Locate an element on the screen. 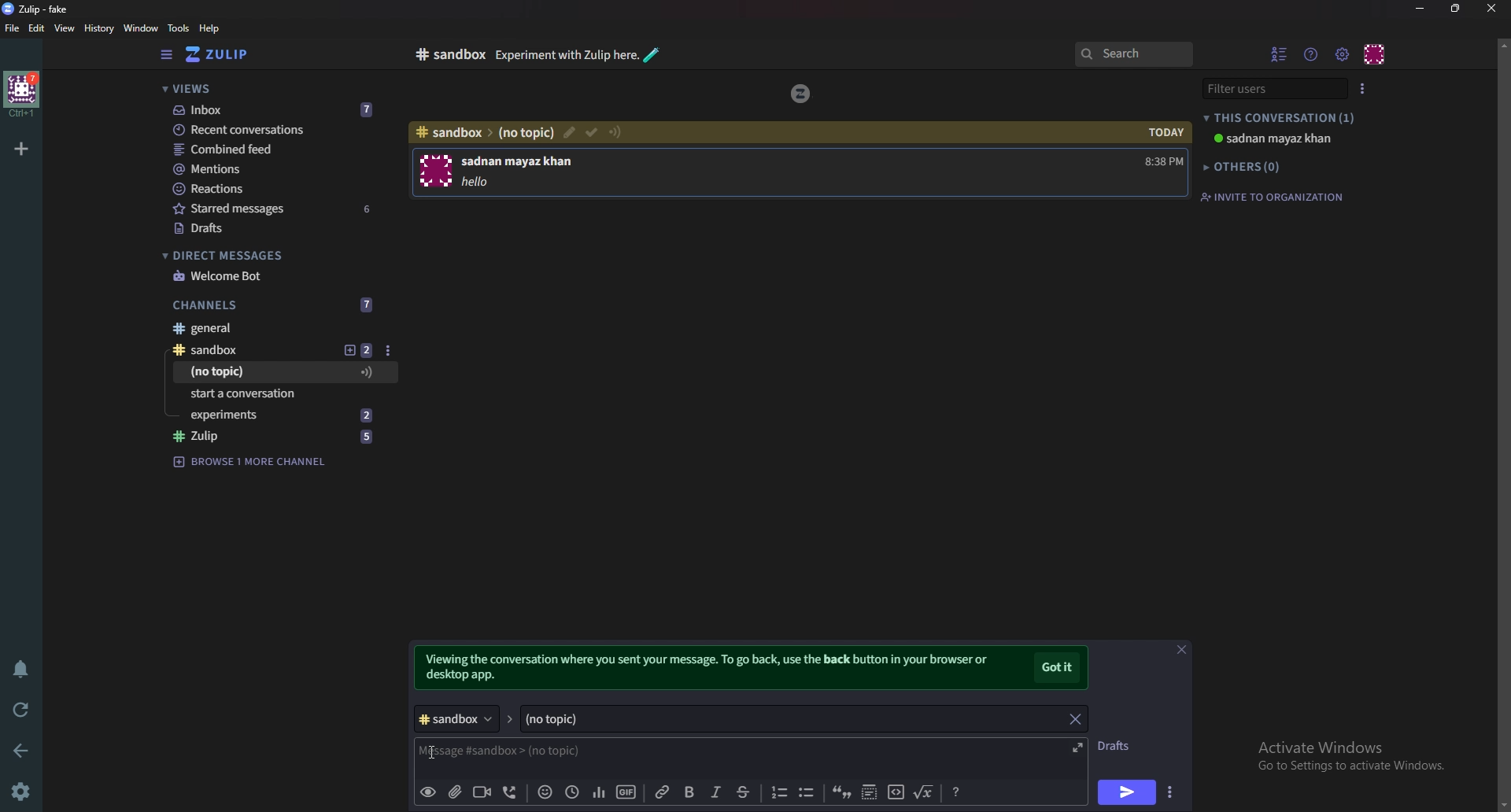 The width and height of the screenshot is (1511, 812). Start a conversation is located at coordinates (280, 396).